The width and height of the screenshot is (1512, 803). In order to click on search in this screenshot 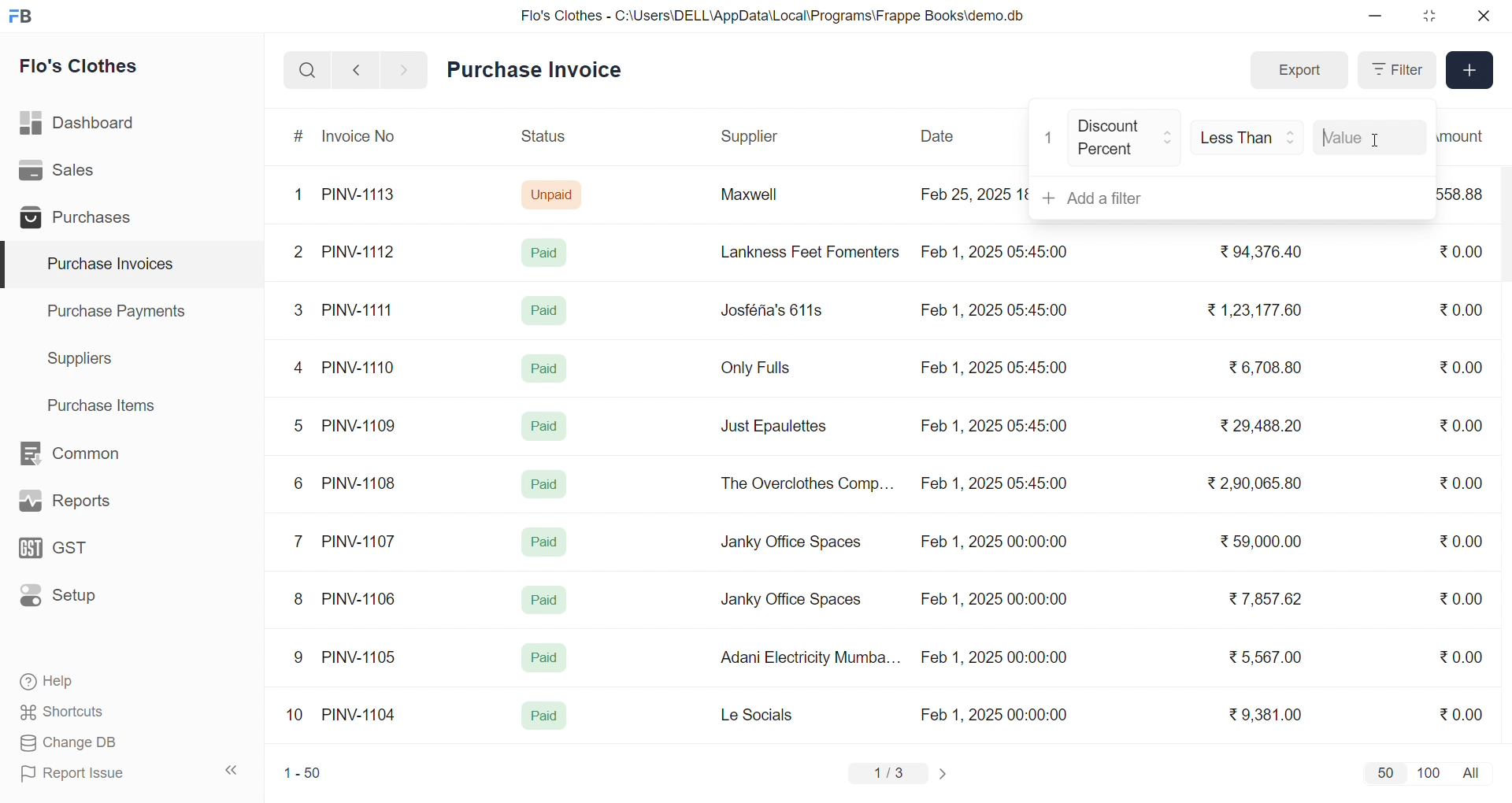, I will do `click(307, 70)`.